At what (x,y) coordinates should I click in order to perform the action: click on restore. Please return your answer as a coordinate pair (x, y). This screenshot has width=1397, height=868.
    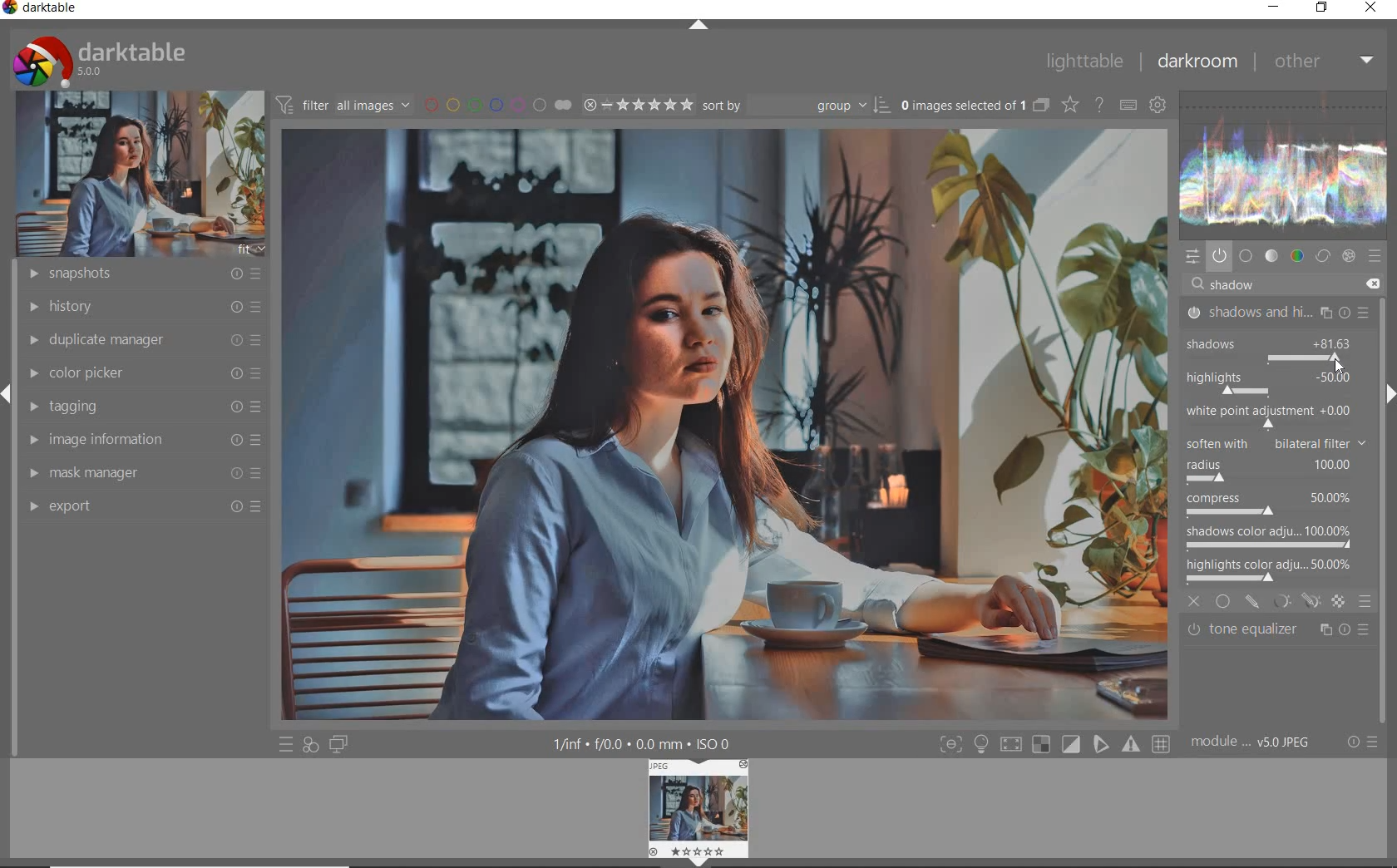
    Looking at the image, I should click on (1324, 8).